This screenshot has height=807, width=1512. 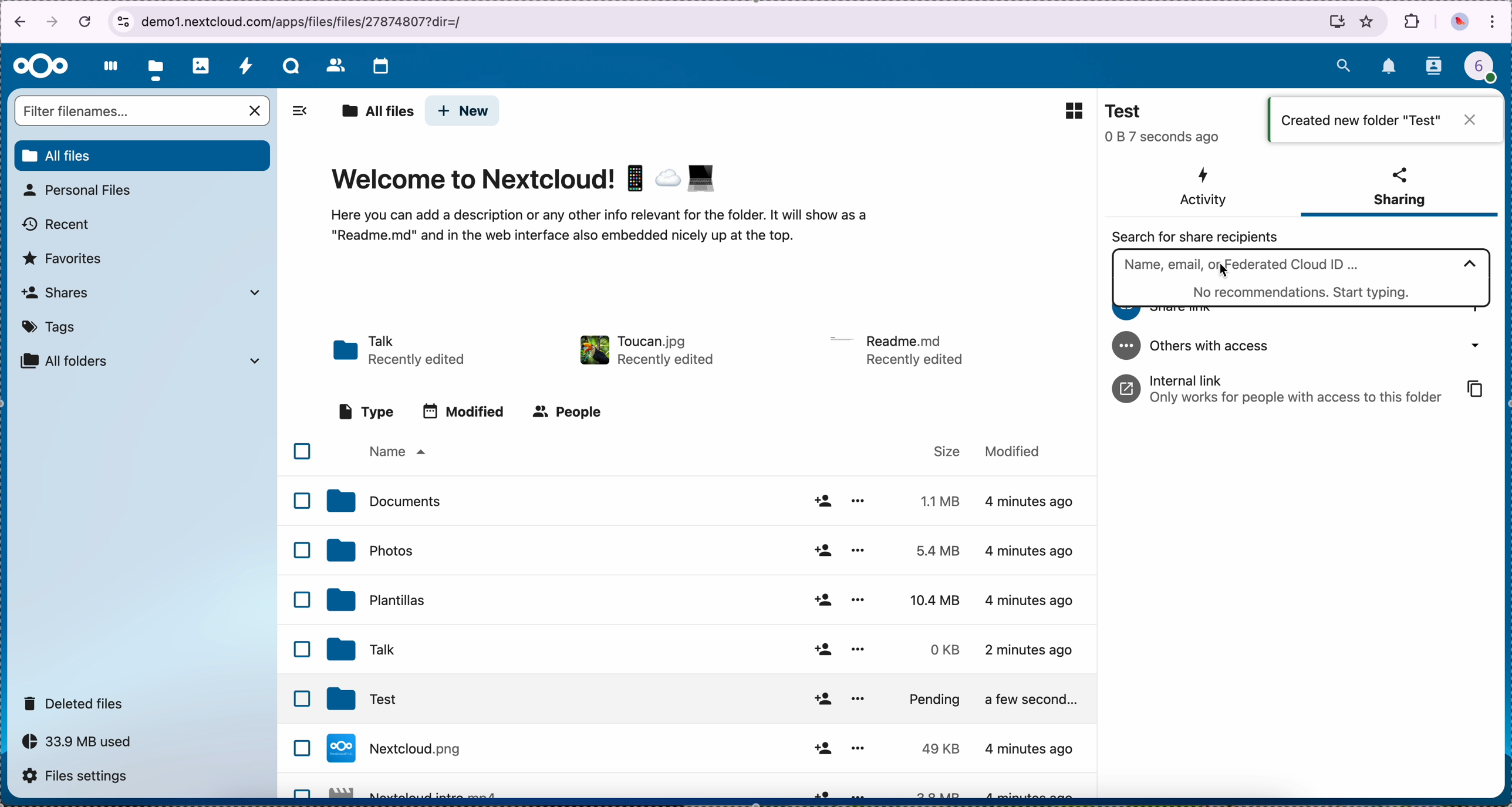 I want to click on talk folder, so click(x=401, y=352).